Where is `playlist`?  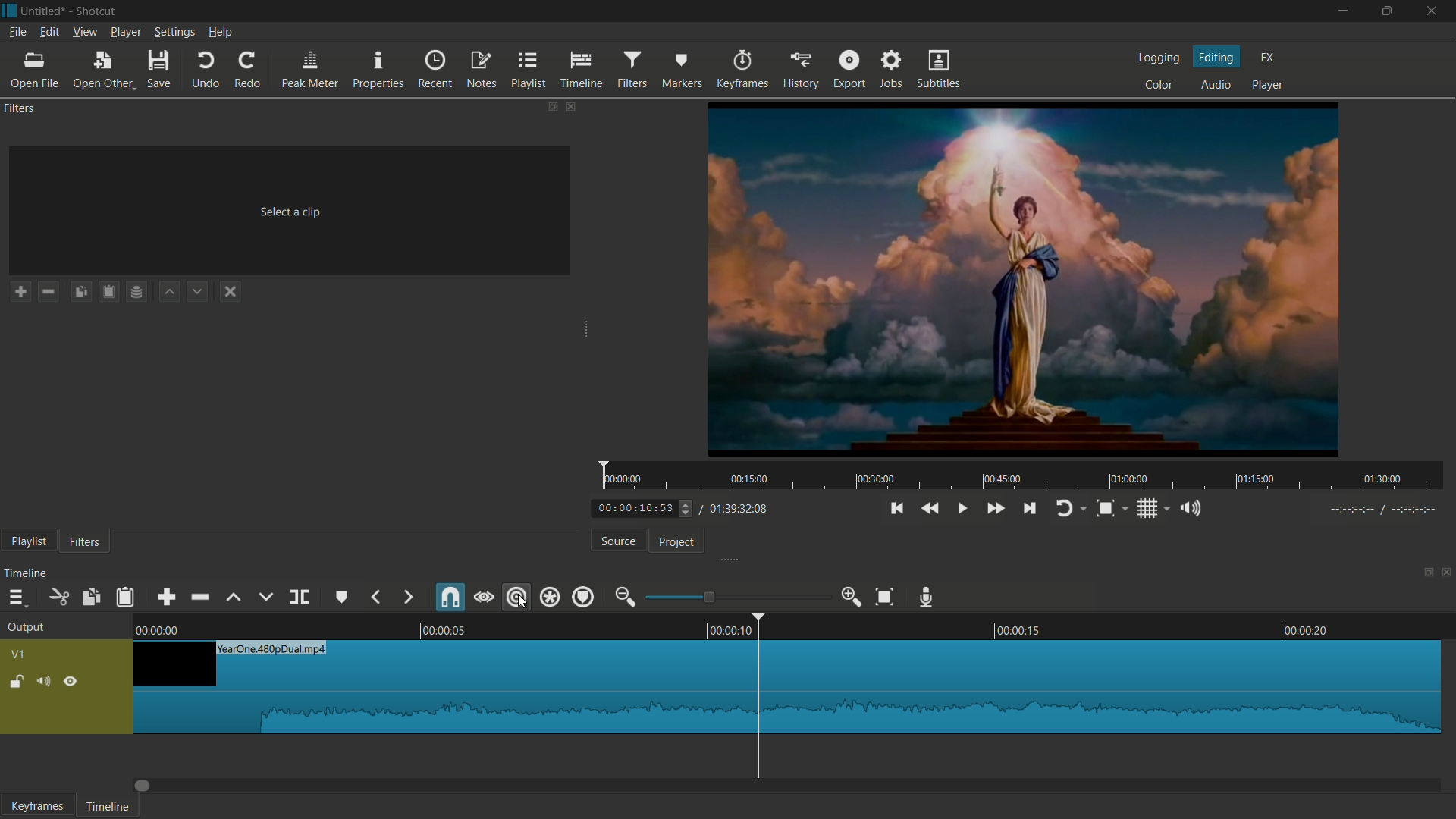 playlist is located at coordinates (28, 543).